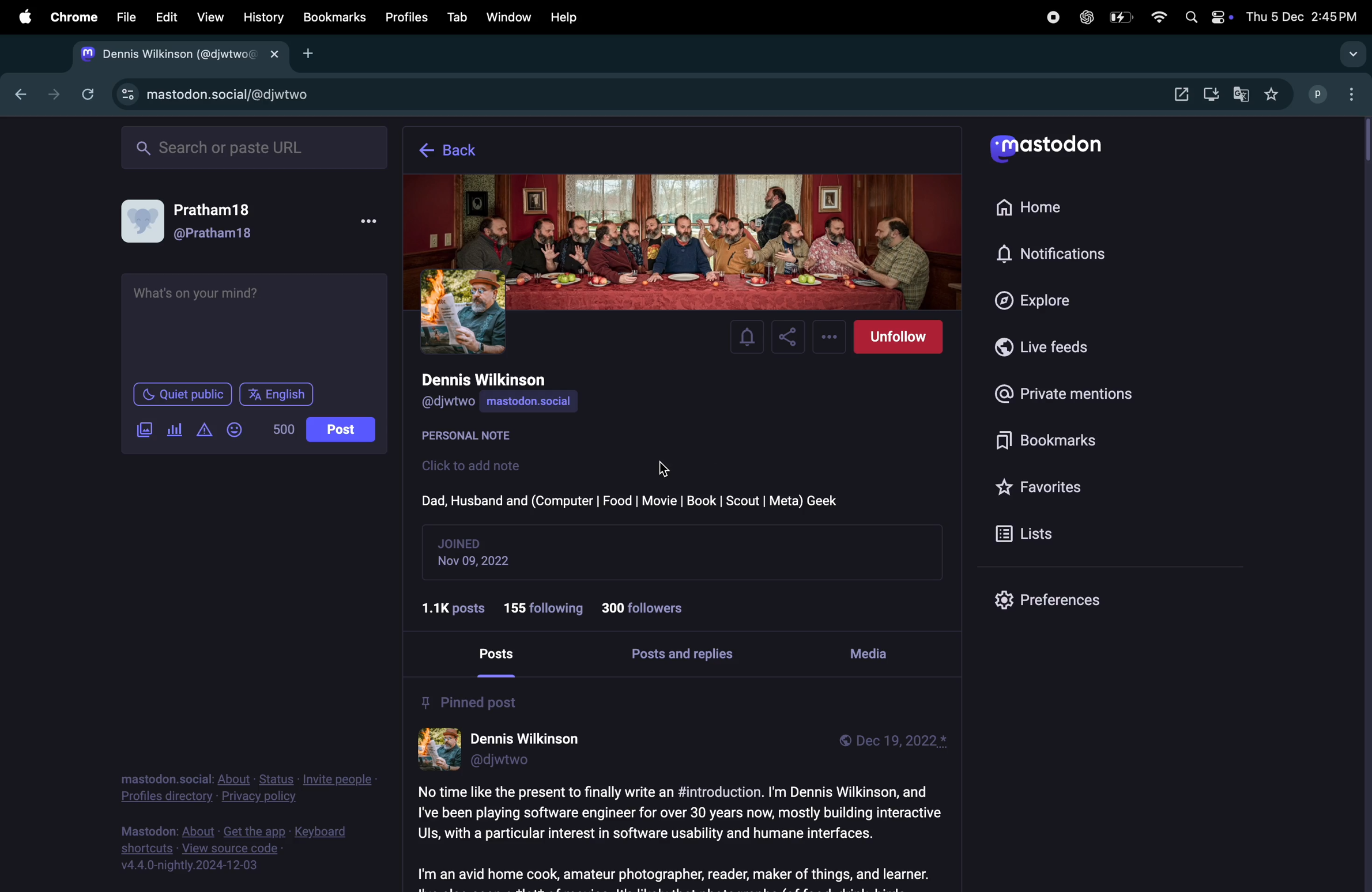  Describe the element at coordinates (243, 789) in the screenshot. I see `pricvacy policy` at that location.